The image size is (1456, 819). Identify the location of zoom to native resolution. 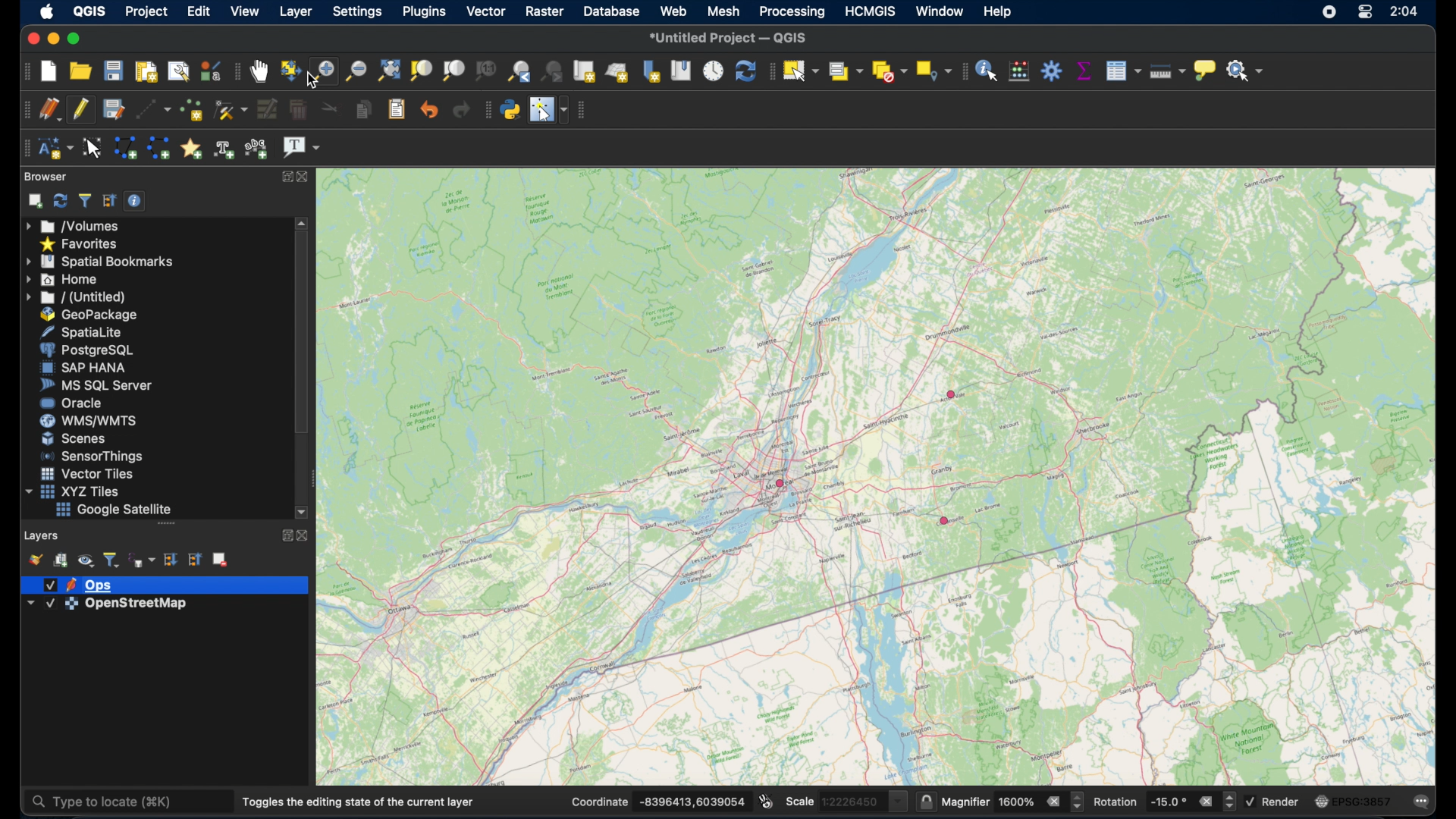
(485, 71).